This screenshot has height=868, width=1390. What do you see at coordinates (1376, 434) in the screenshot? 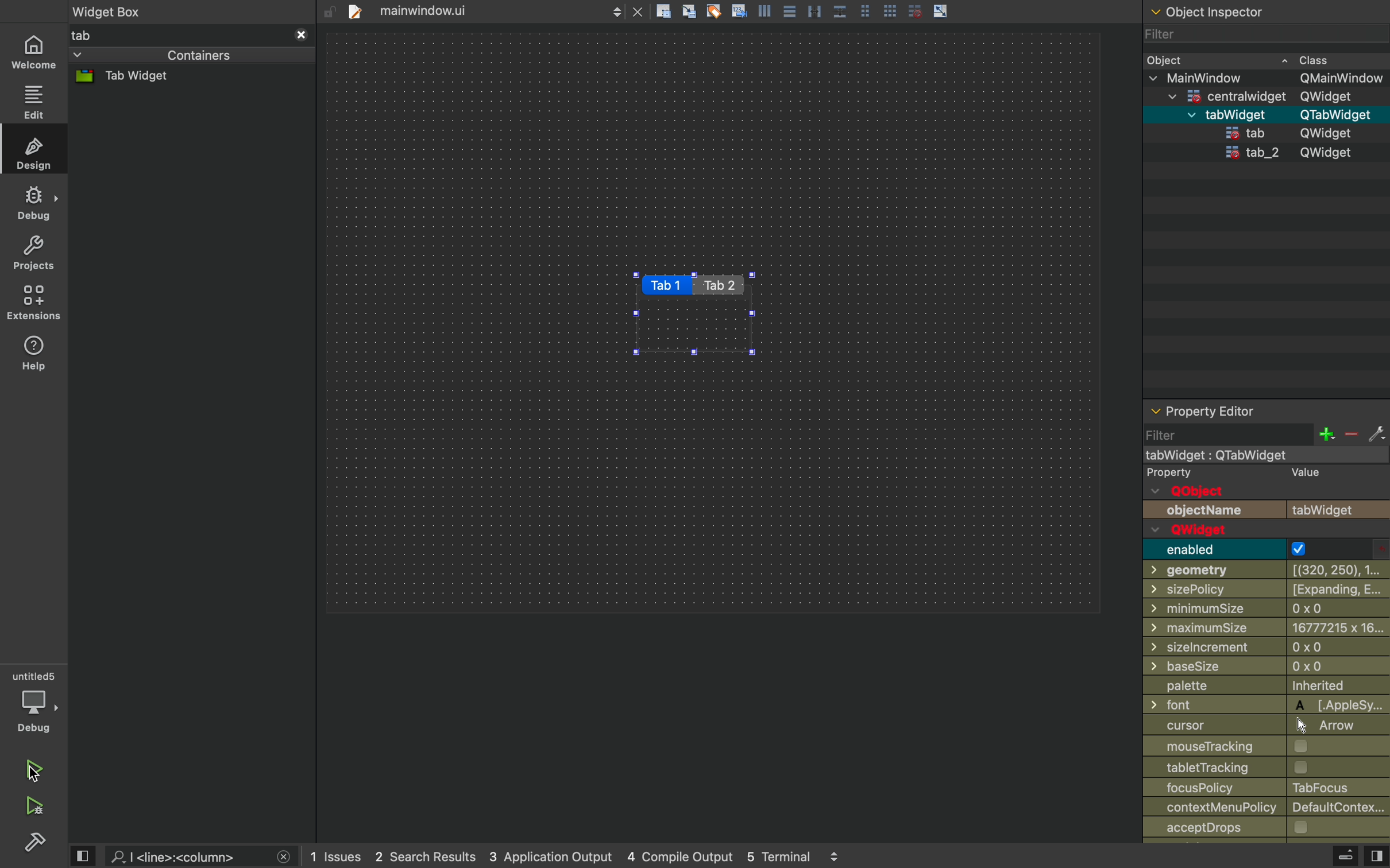
I see `settings` at bounding box center [1376, 434].